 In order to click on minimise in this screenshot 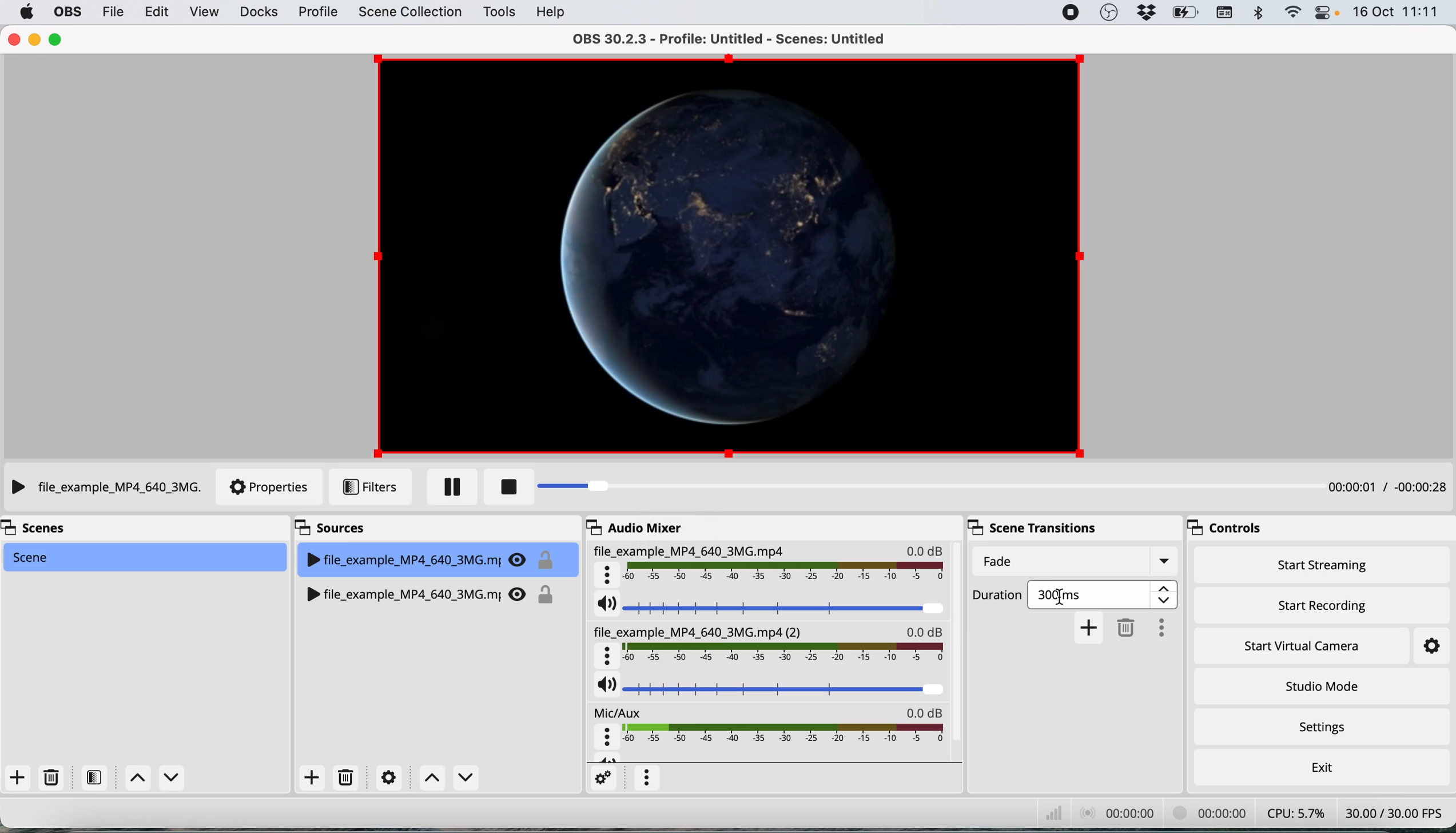, I will do `click(34, 39)`.